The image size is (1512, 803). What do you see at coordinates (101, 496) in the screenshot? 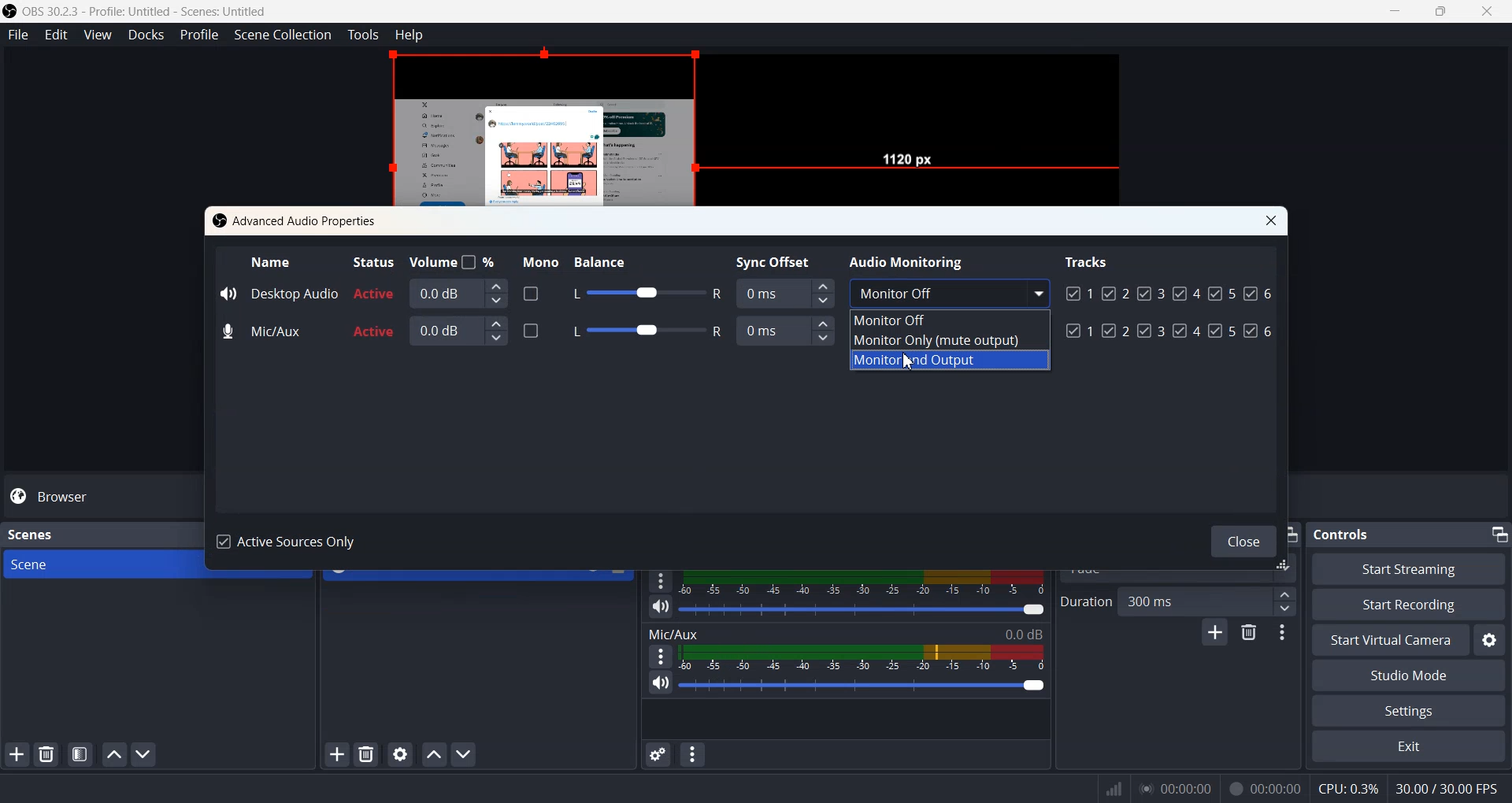
I see `Browser` at bounding box center [101, 496].